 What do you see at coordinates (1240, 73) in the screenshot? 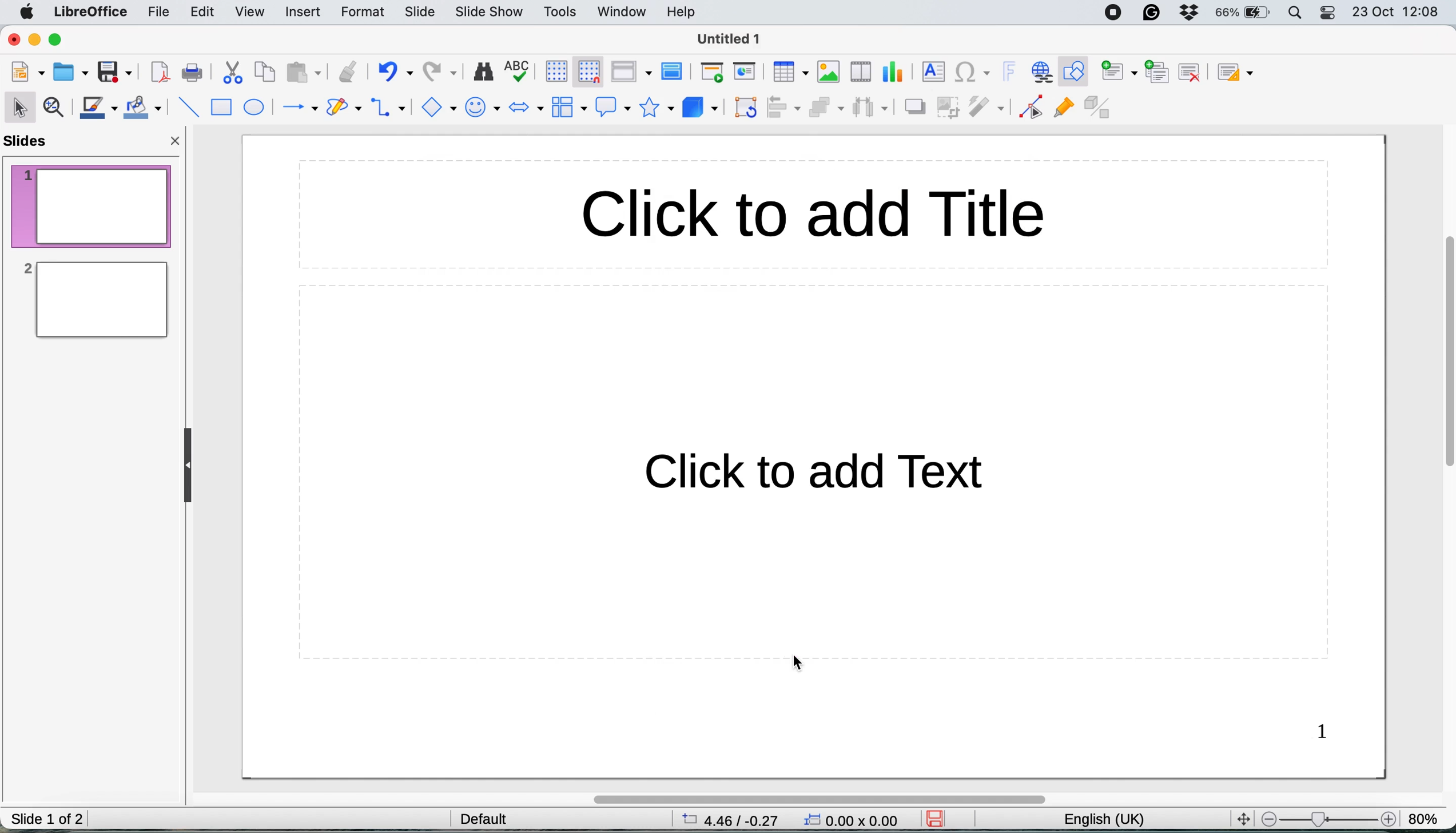
I see `slide layout` at bounding box center [1240, 73].